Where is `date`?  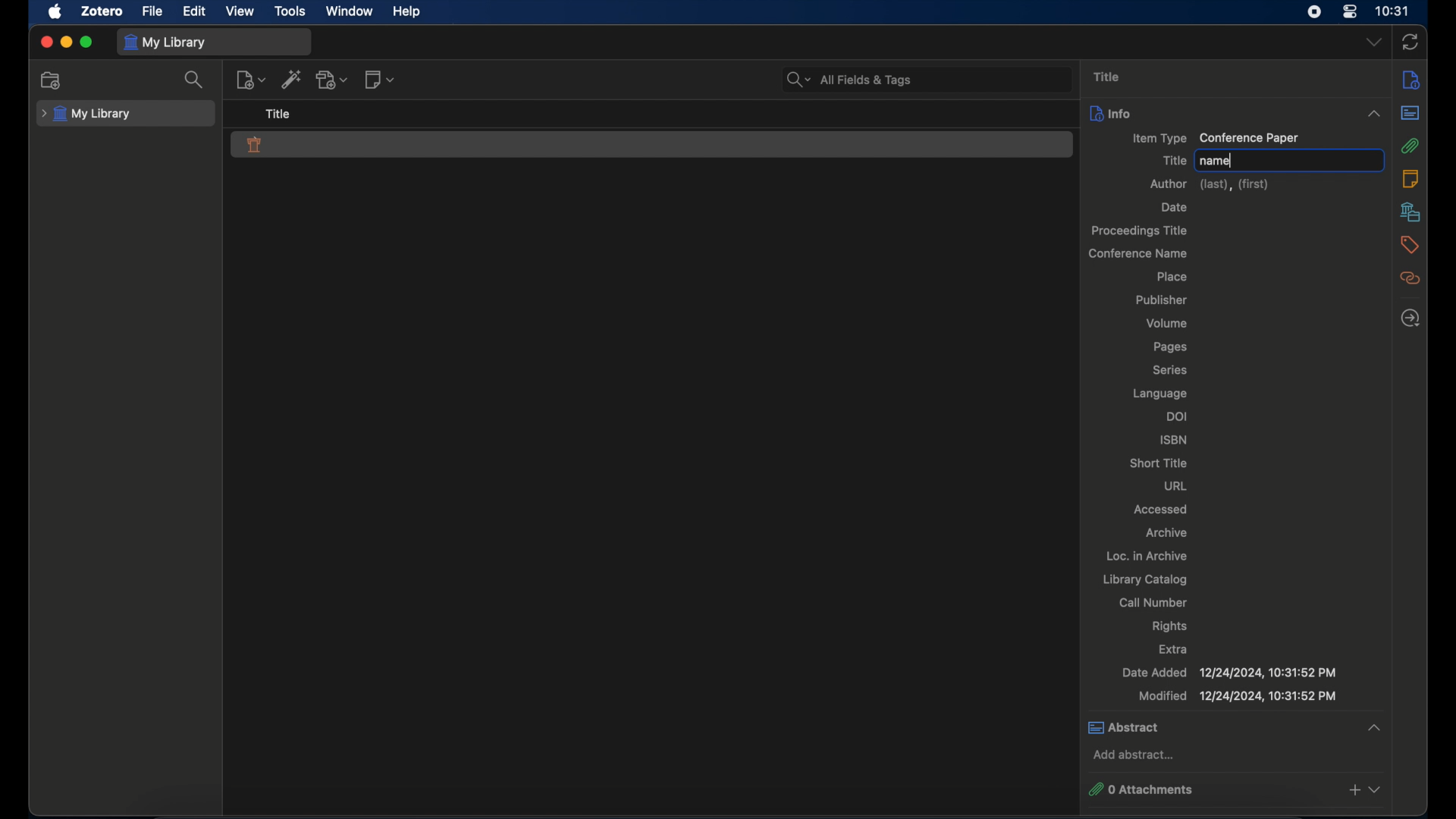 date is located at coordinates (1175, 207).